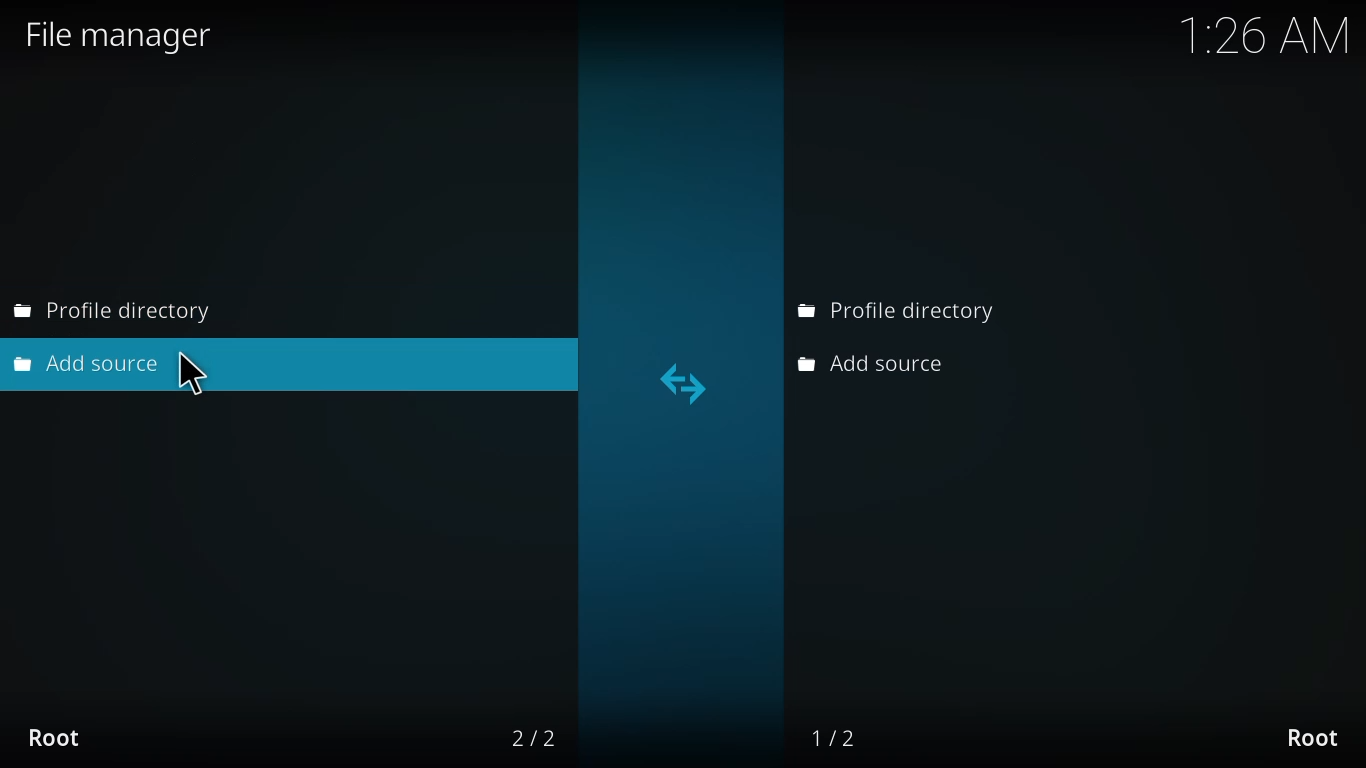 This screenshot has height=768, width=1366. Describe the element at coordinates (127, 35) in the screenshot. I see `file manager` at that location.